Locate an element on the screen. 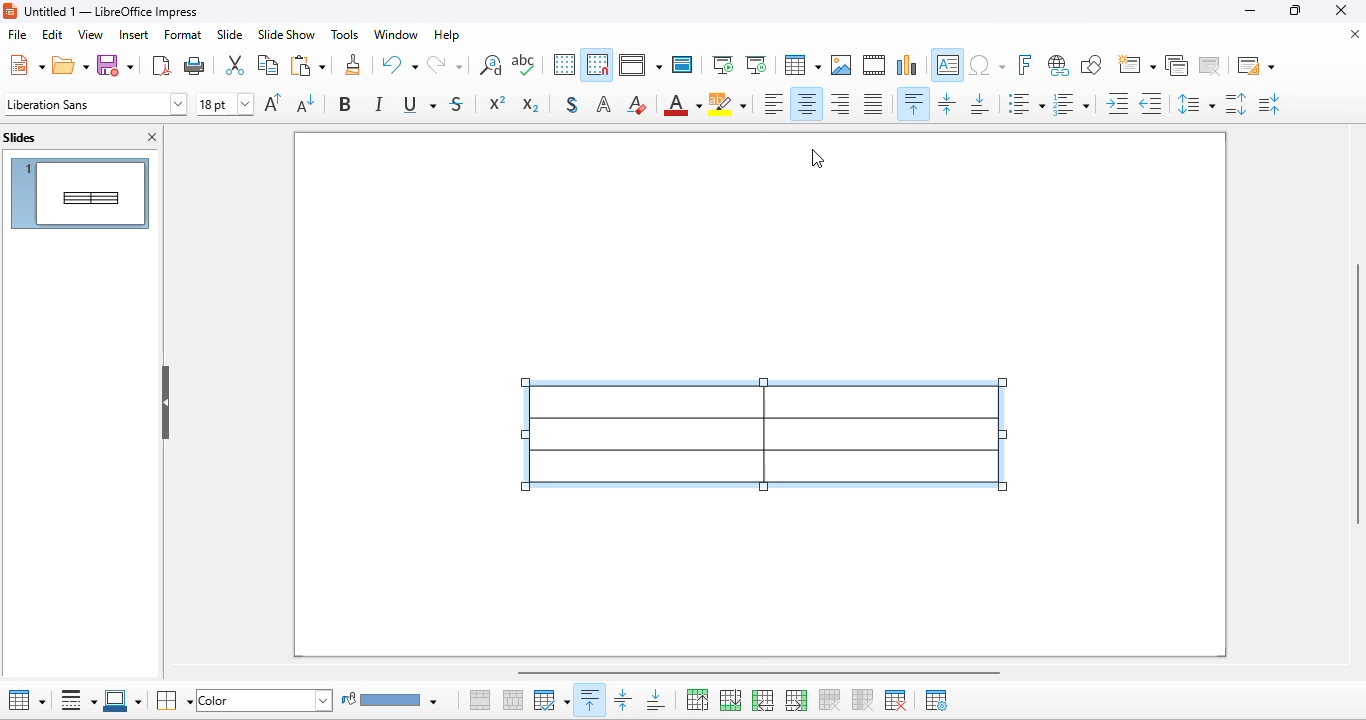 The width and height of the screenshot is (1366, 720). minimize is located at coordinates (1252, 11).